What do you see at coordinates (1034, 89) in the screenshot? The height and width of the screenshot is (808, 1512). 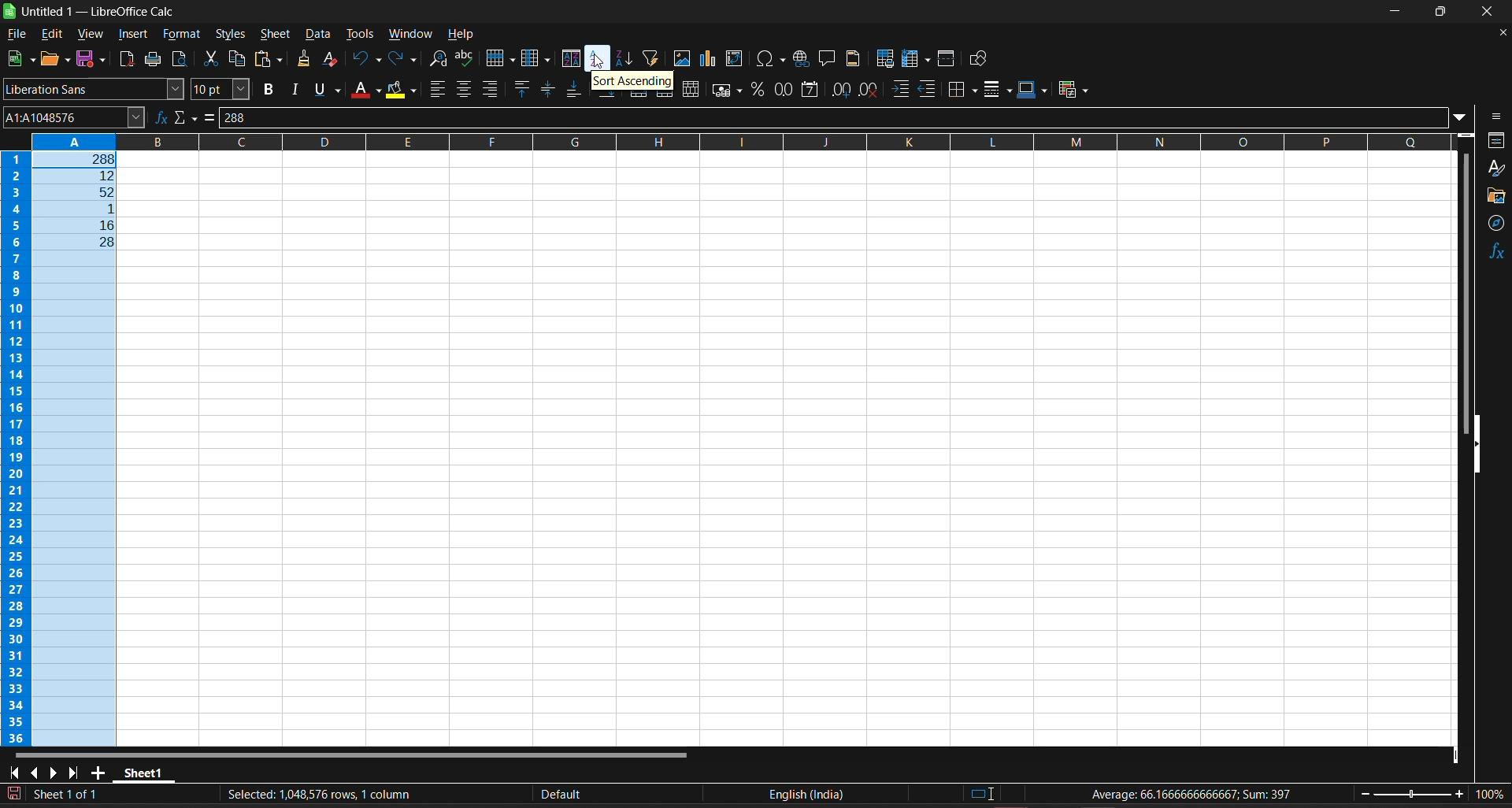 I see `border color` at bounding box center [1034, 89].